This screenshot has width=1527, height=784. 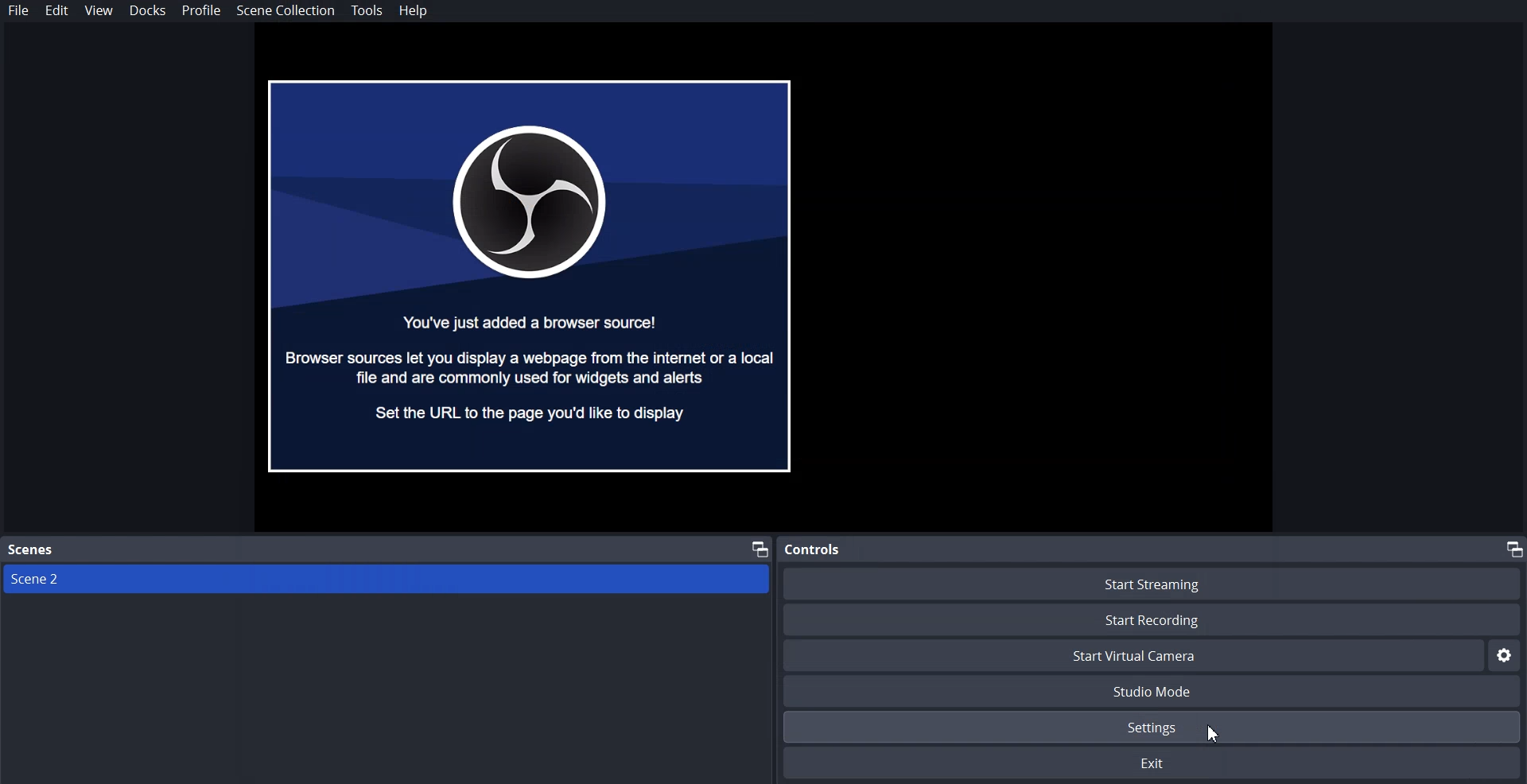 I want to click on Start Virtual Camera, so click(x=1133, y=655).